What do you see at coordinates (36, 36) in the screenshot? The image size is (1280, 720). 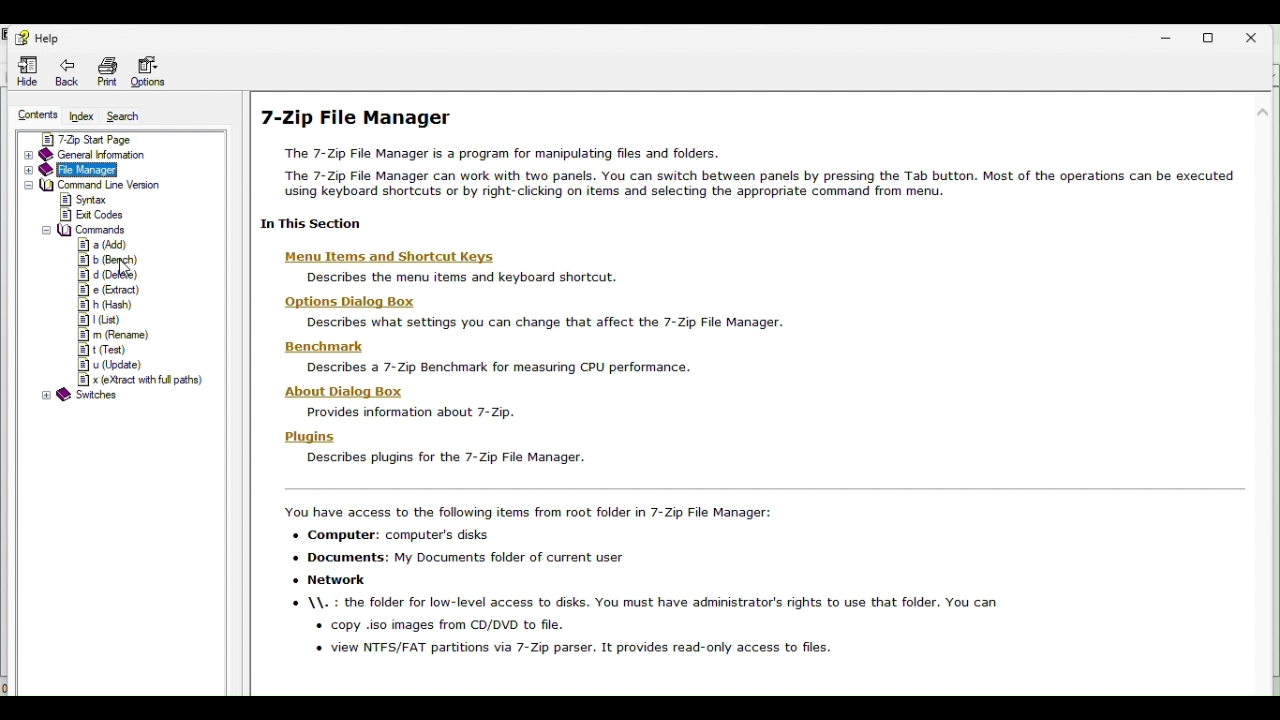 I see `Help ` at bounding box center [36, 36].